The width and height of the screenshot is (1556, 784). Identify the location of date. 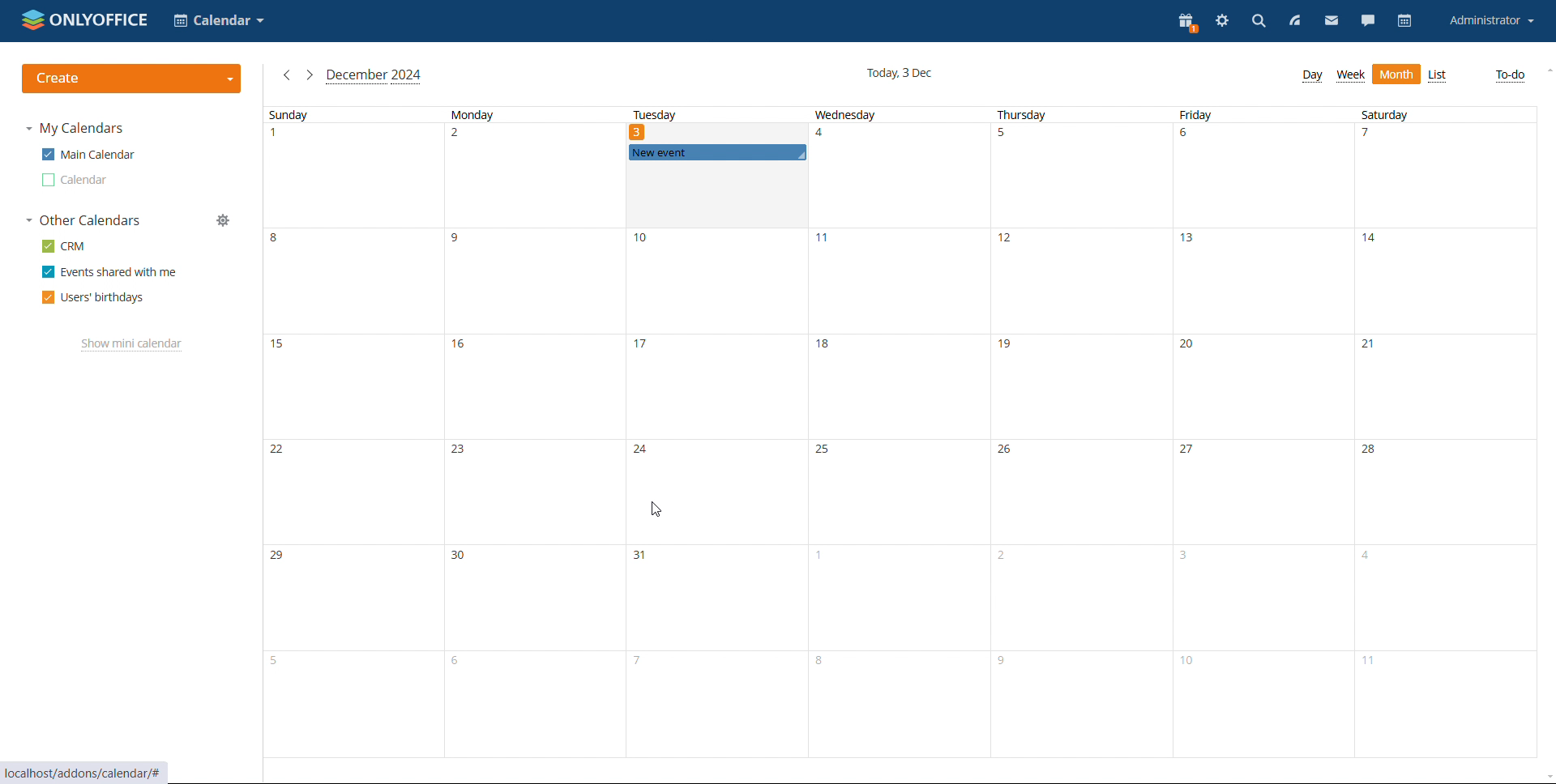
(536, 491).